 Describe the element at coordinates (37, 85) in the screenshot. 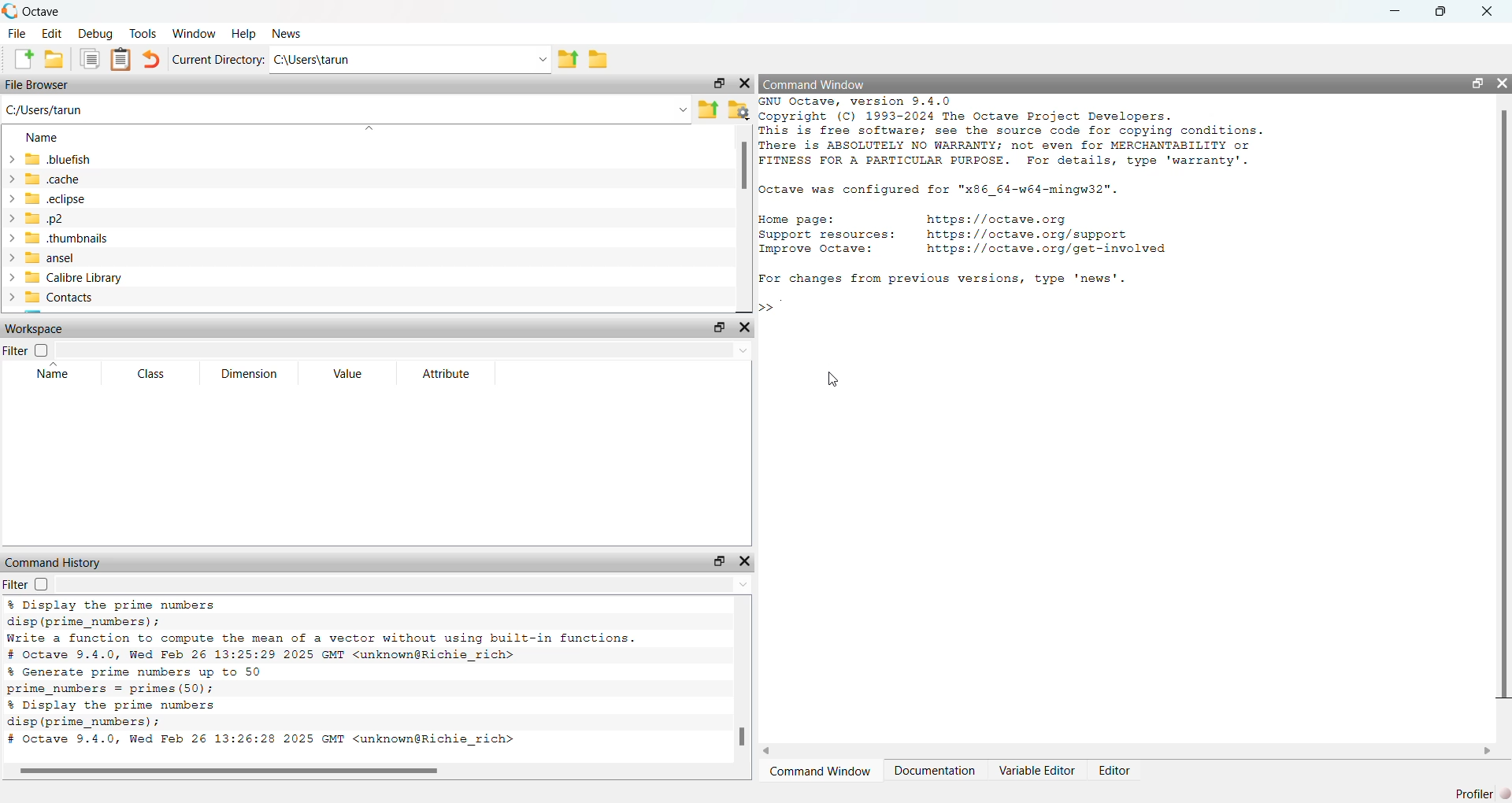

I see `File Browser` at that location.